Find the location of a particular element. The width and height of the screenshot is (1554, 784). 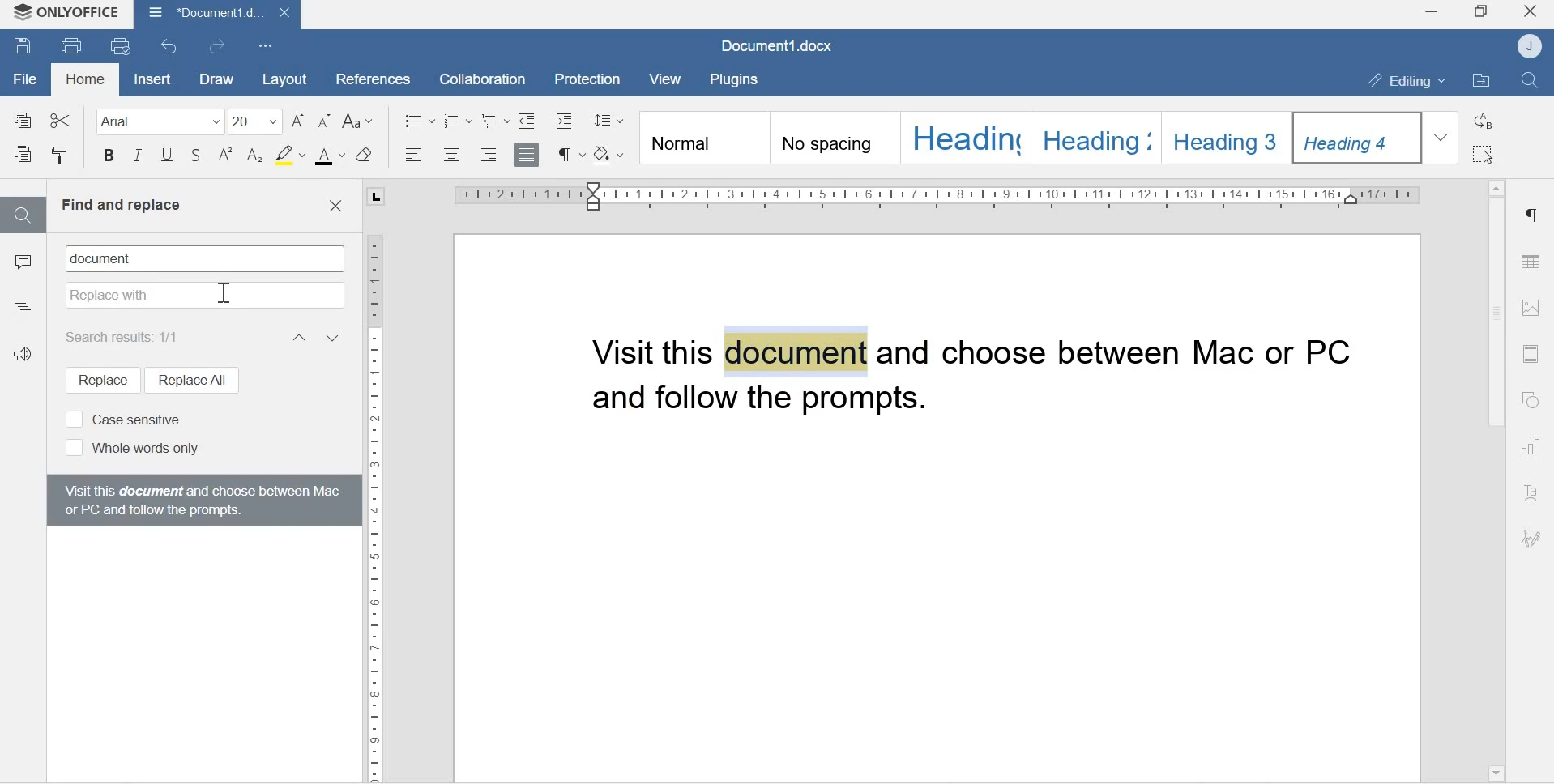

and follow the prompts. is located at coordinates (776, 404).